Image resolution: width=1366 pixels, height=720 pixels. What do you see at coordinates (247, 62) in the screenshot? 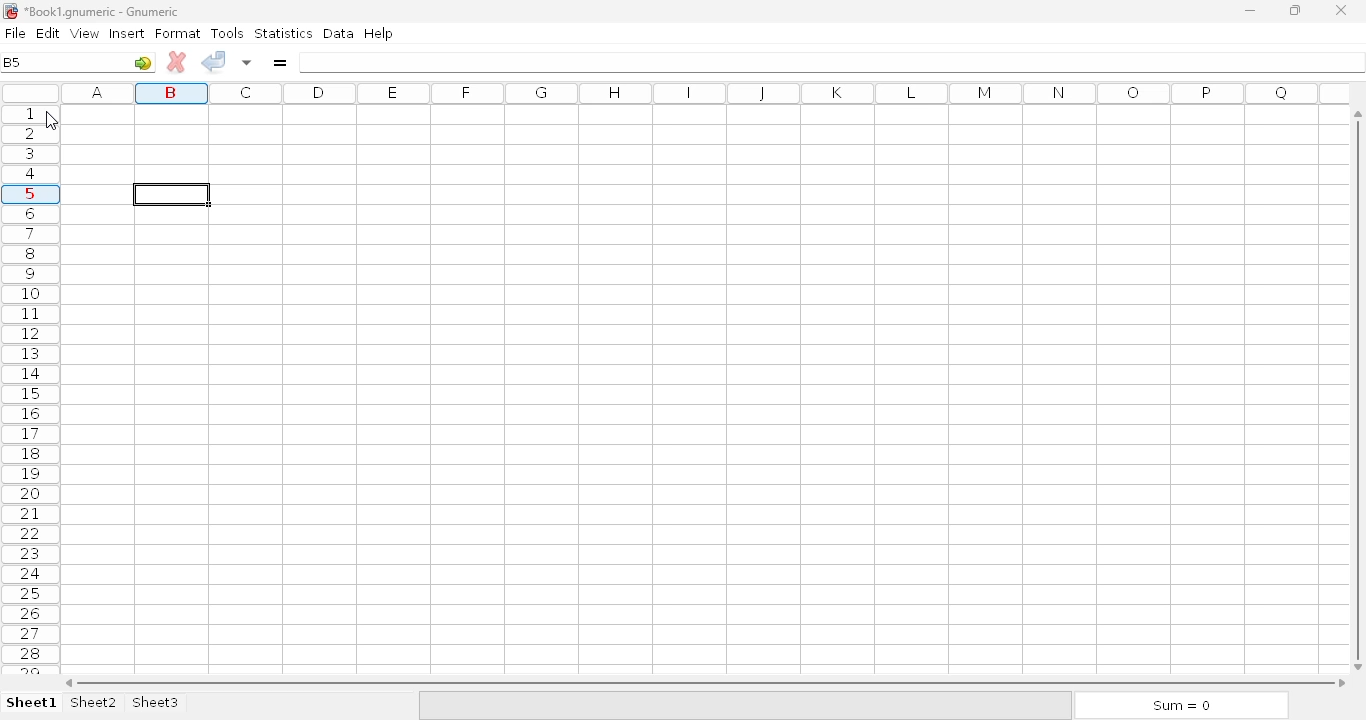
I see `accept change in multiple cells` at bounding box center [247, 62].